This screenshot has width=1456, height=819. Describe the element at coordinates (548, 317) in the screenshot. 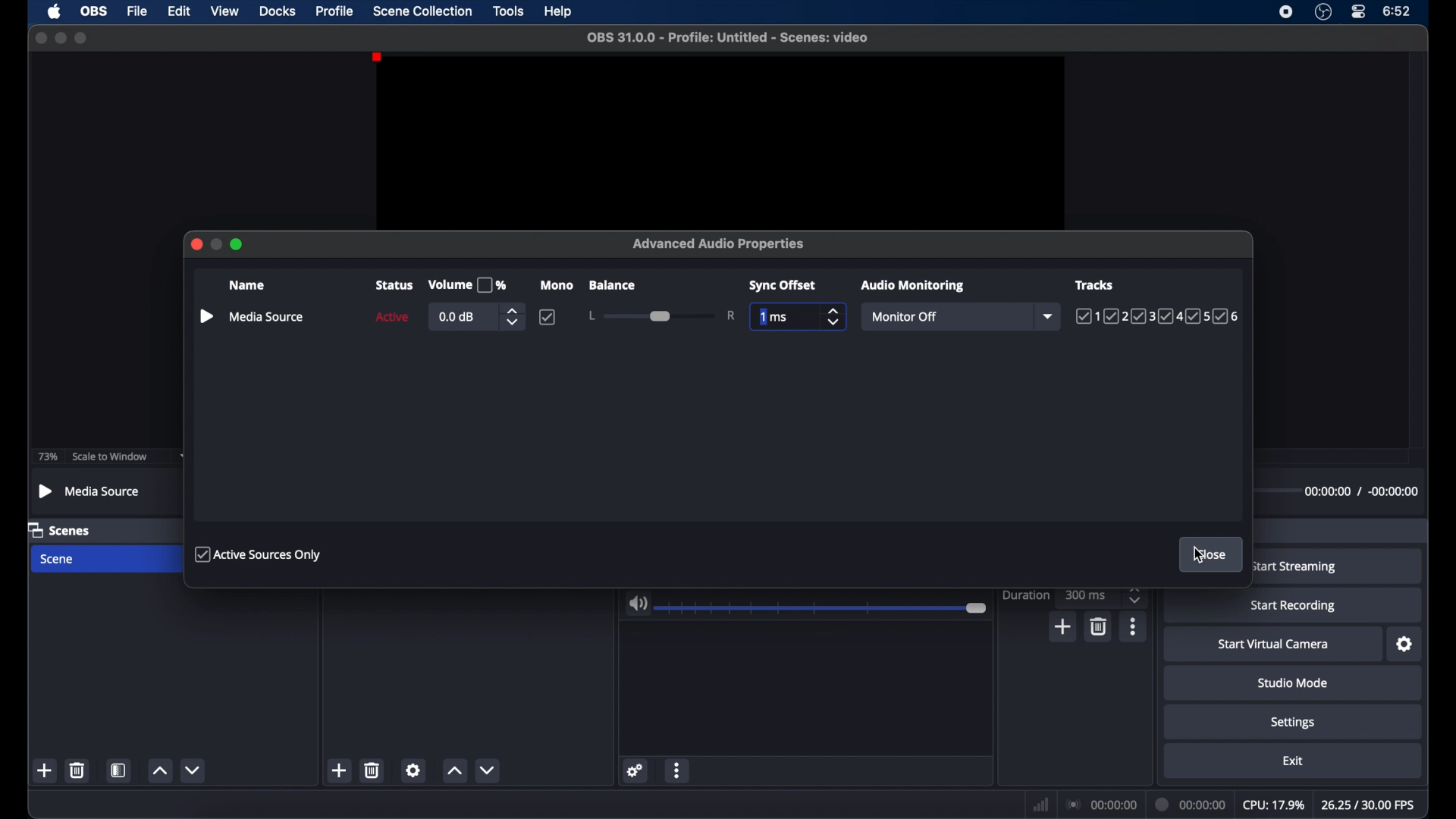

I see `checkbox` at that location.